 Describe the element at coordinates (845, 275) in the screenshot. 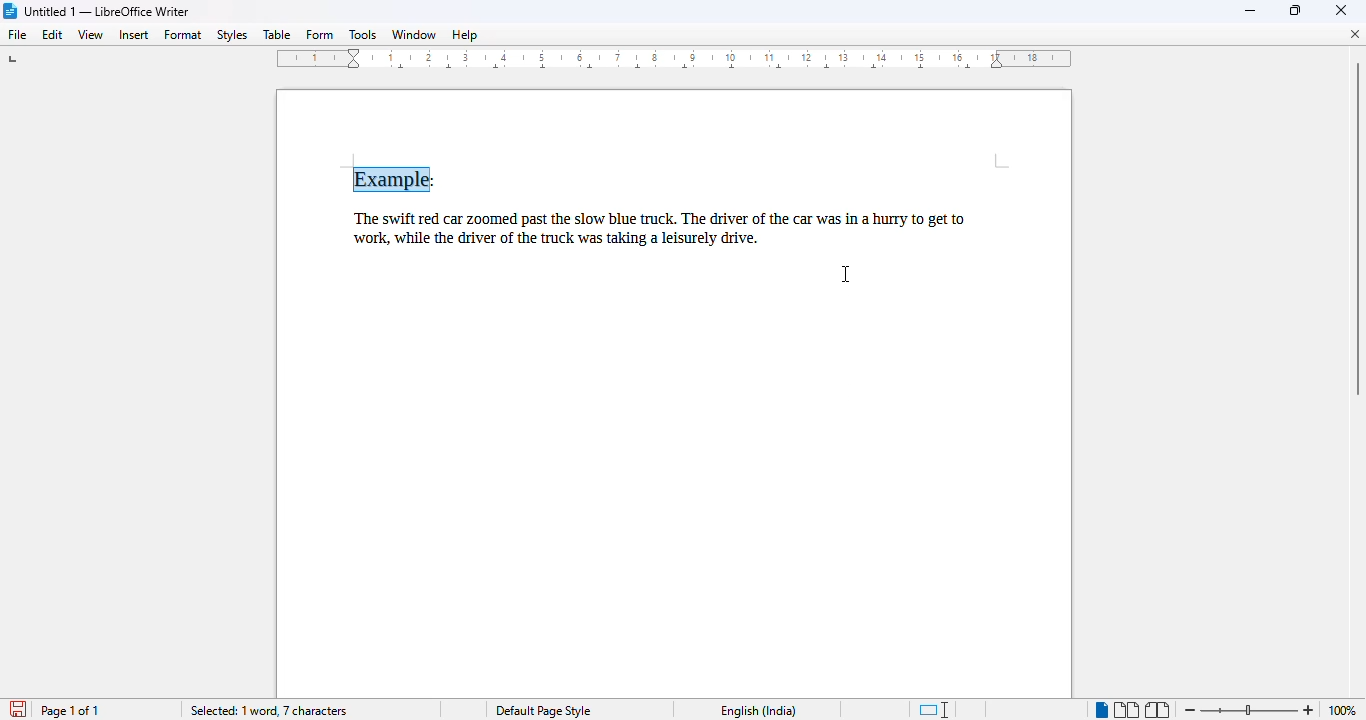

I see `cursor` at that location.